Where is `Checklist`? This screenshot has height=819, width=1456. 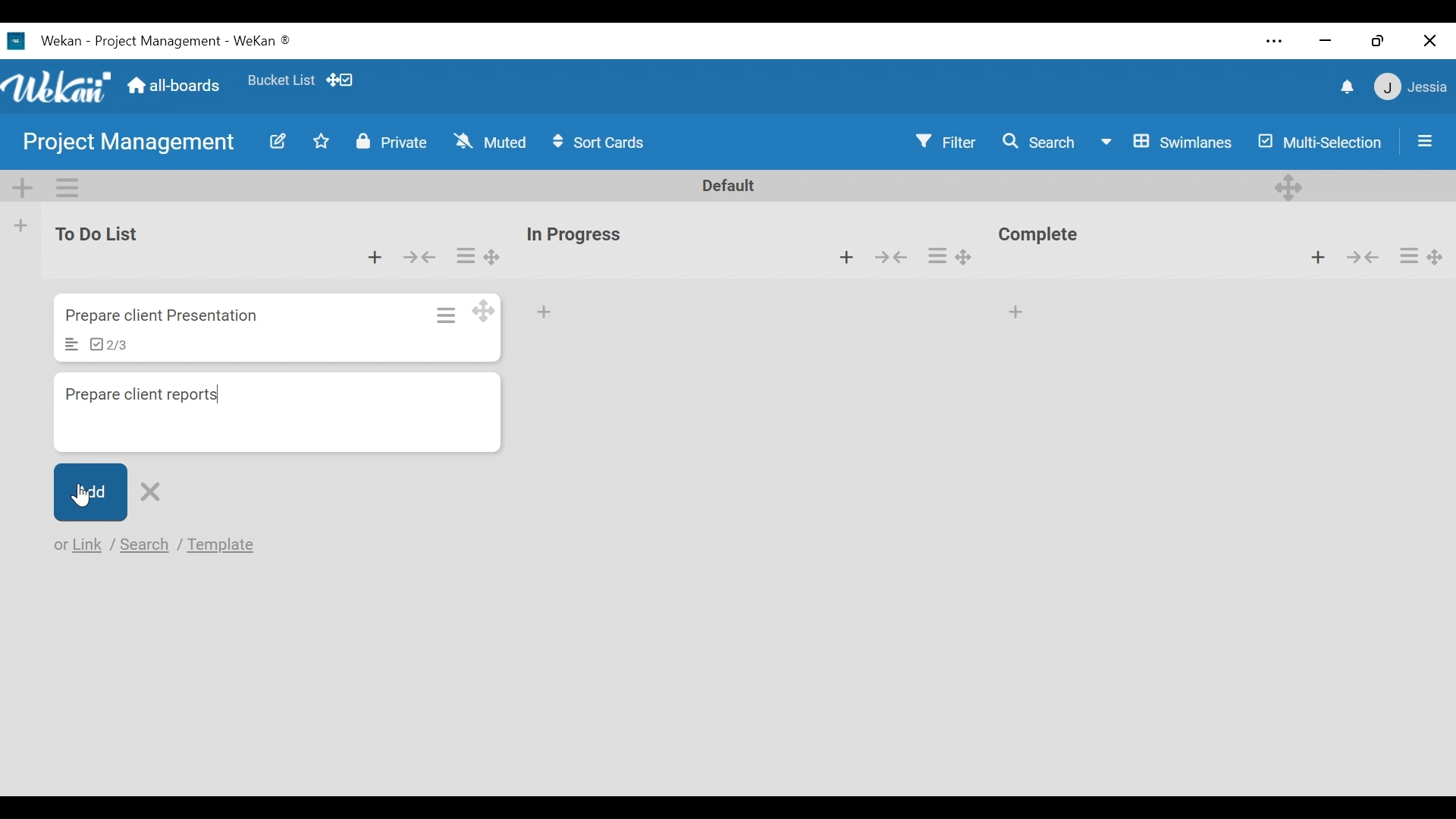 Checklist is located at coordinates (108, 346).